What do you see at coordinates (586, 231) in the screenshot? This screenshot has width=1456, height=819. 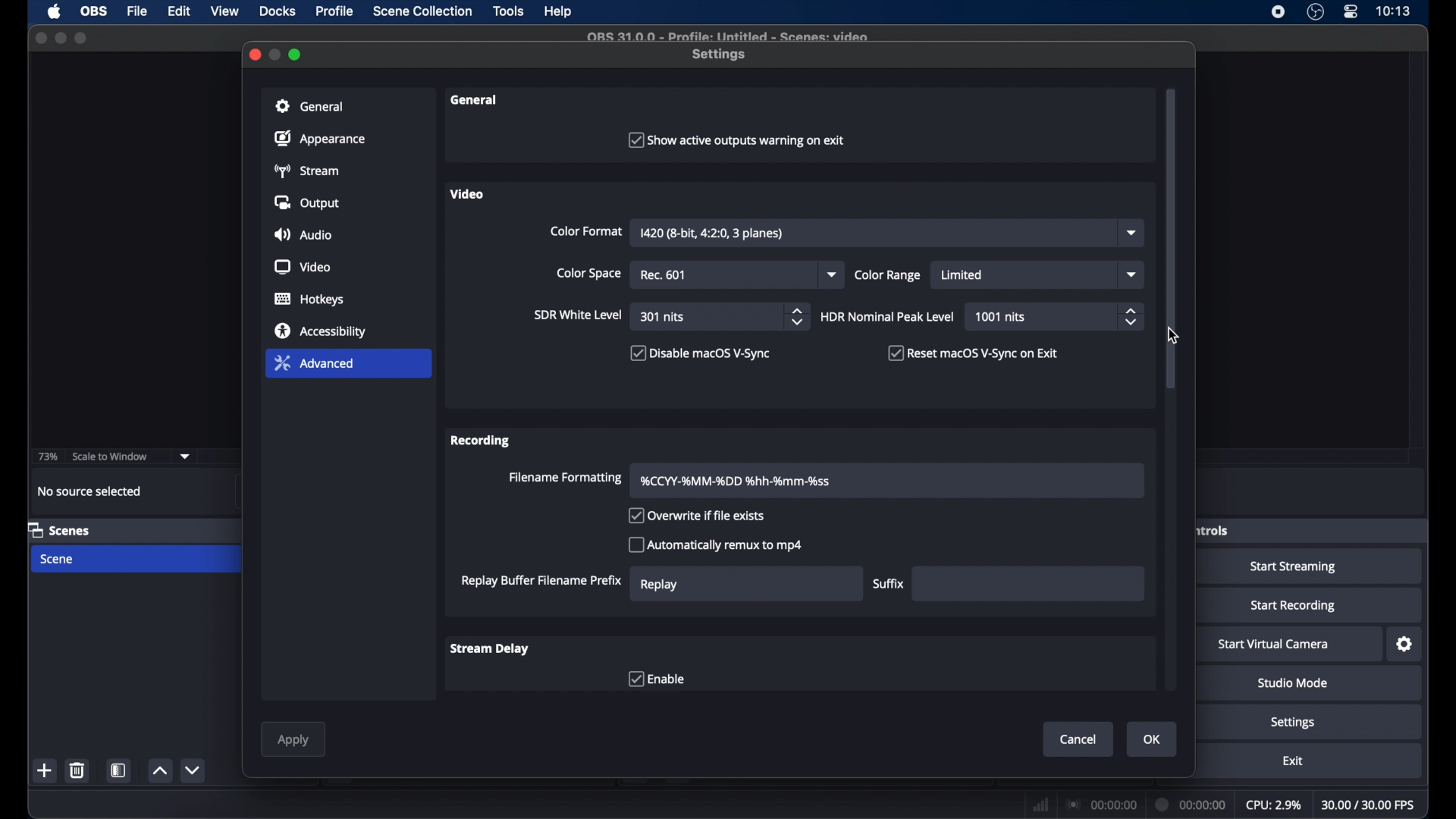 I see `color format` at bounding box center [586, 231].